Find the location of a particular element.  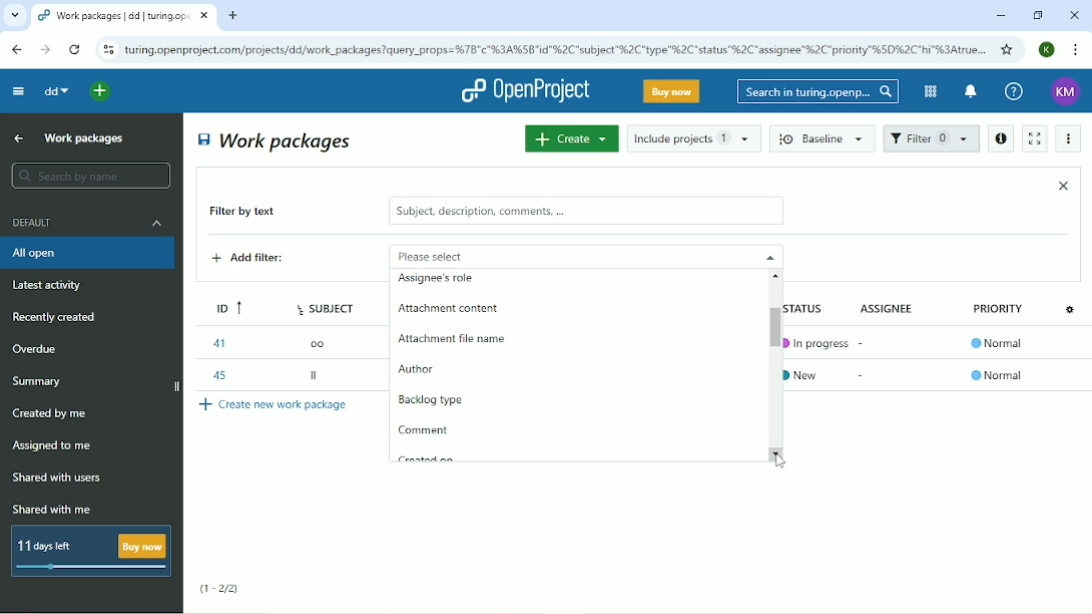

View site information is located at coordinates (108, 50).